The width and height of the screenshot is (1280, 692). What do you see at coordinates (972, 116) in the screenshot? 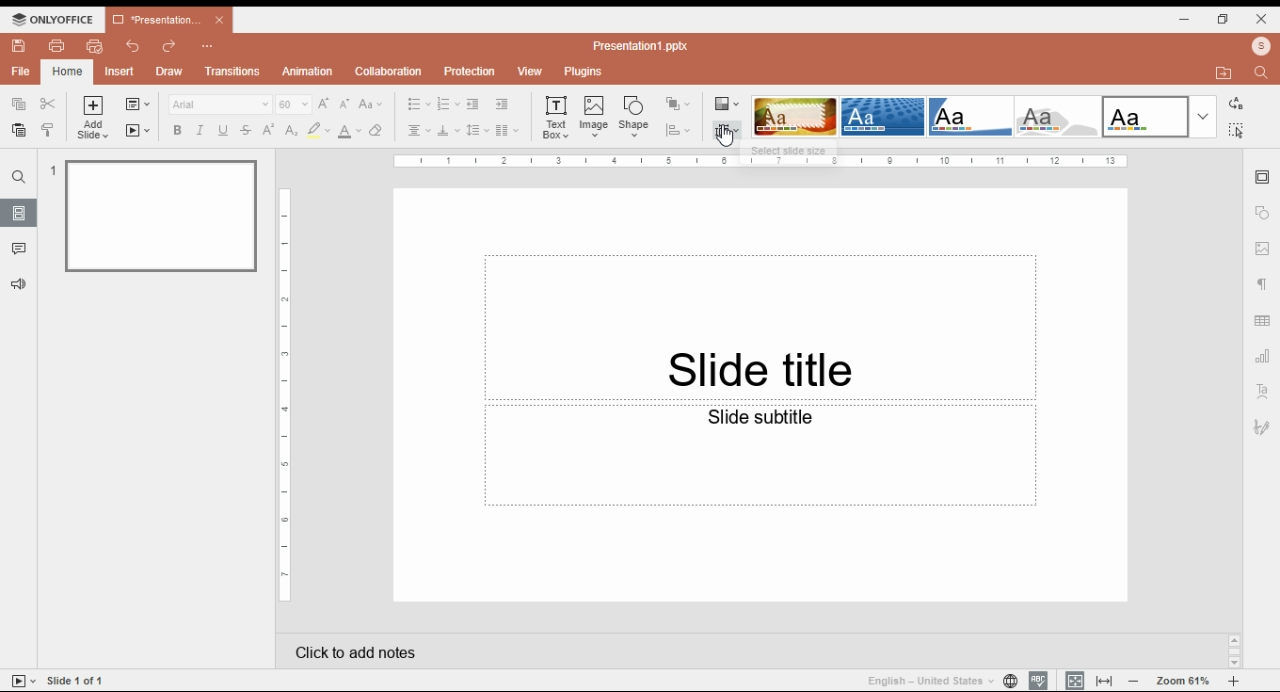
I see `slide them option` at bounding box center [972, 116].